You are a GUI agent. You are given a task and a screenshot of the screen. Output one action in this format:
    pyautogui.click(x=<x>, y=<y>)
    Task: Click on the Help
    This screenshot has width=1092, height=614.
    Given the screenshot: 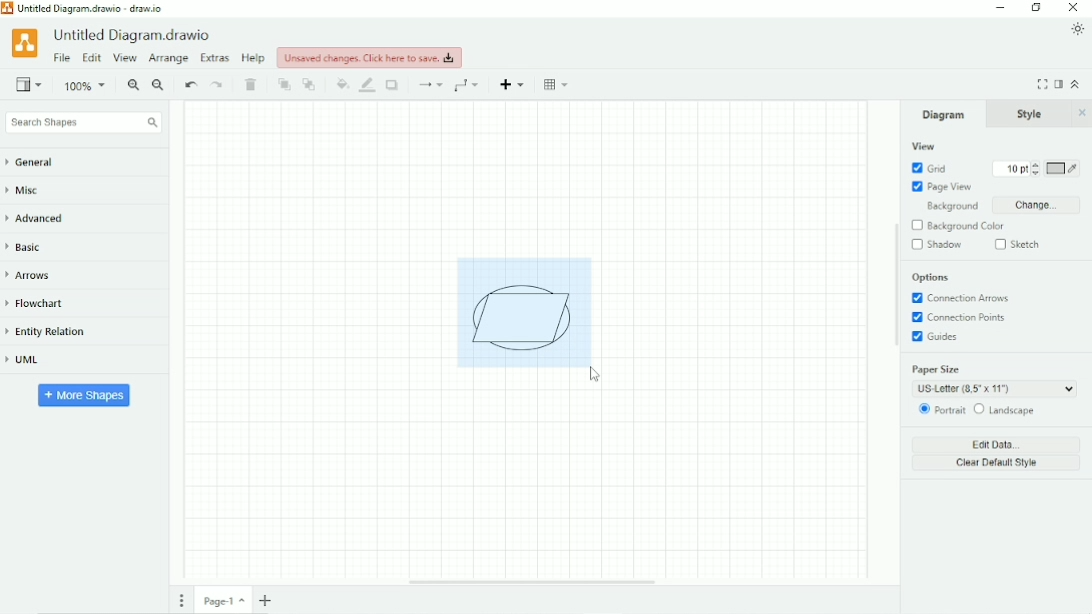 What is the action you would take?
    pyautogui.click(x=254, y=58)
    